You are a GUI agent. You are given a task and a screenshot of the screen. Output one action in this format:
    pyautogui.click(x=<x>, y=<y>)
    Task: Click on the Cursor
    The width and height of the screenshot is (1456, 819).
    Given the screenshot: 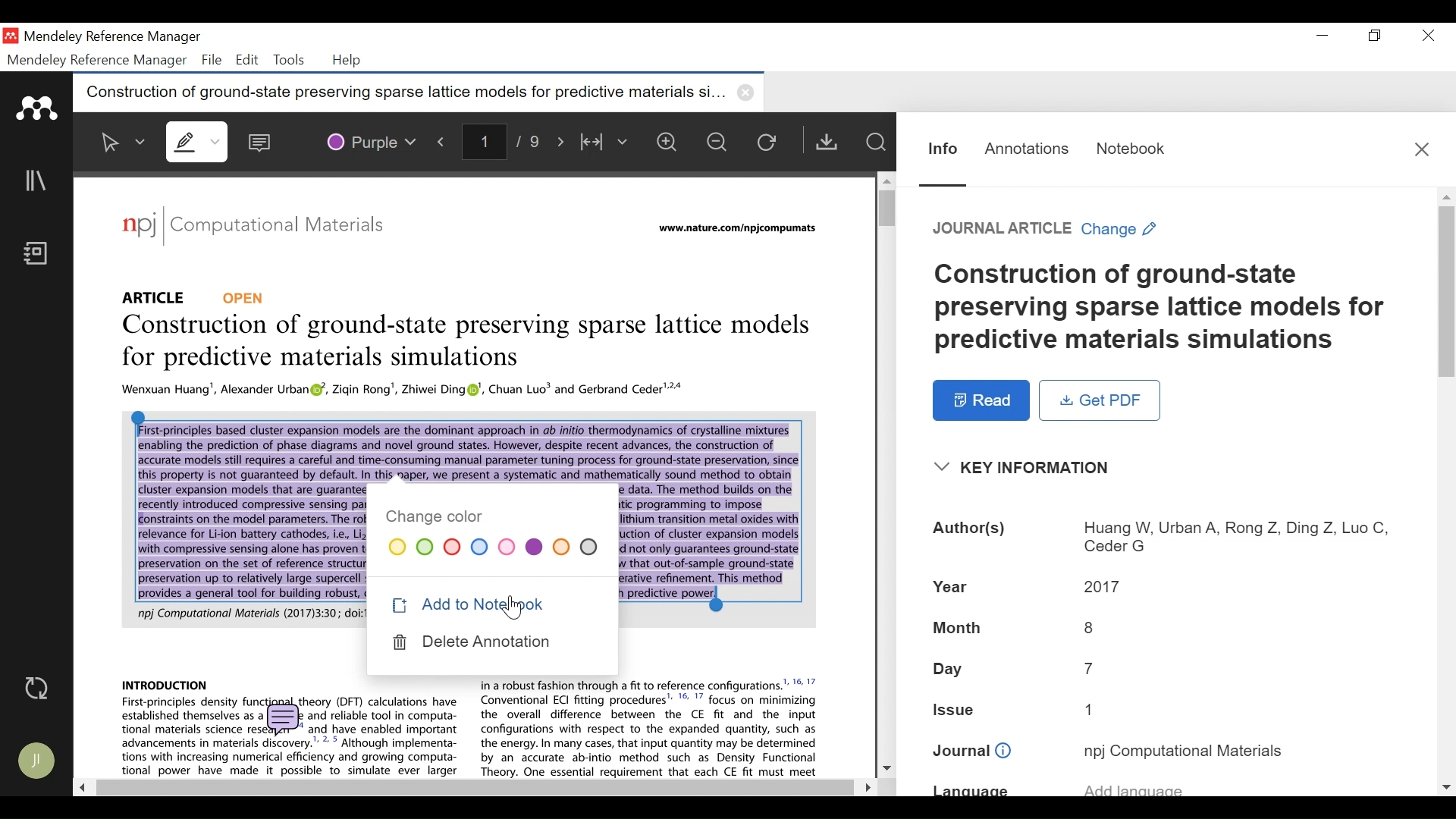 What is the action you would take?
    pyautogui.click(x=515, y=608)
    